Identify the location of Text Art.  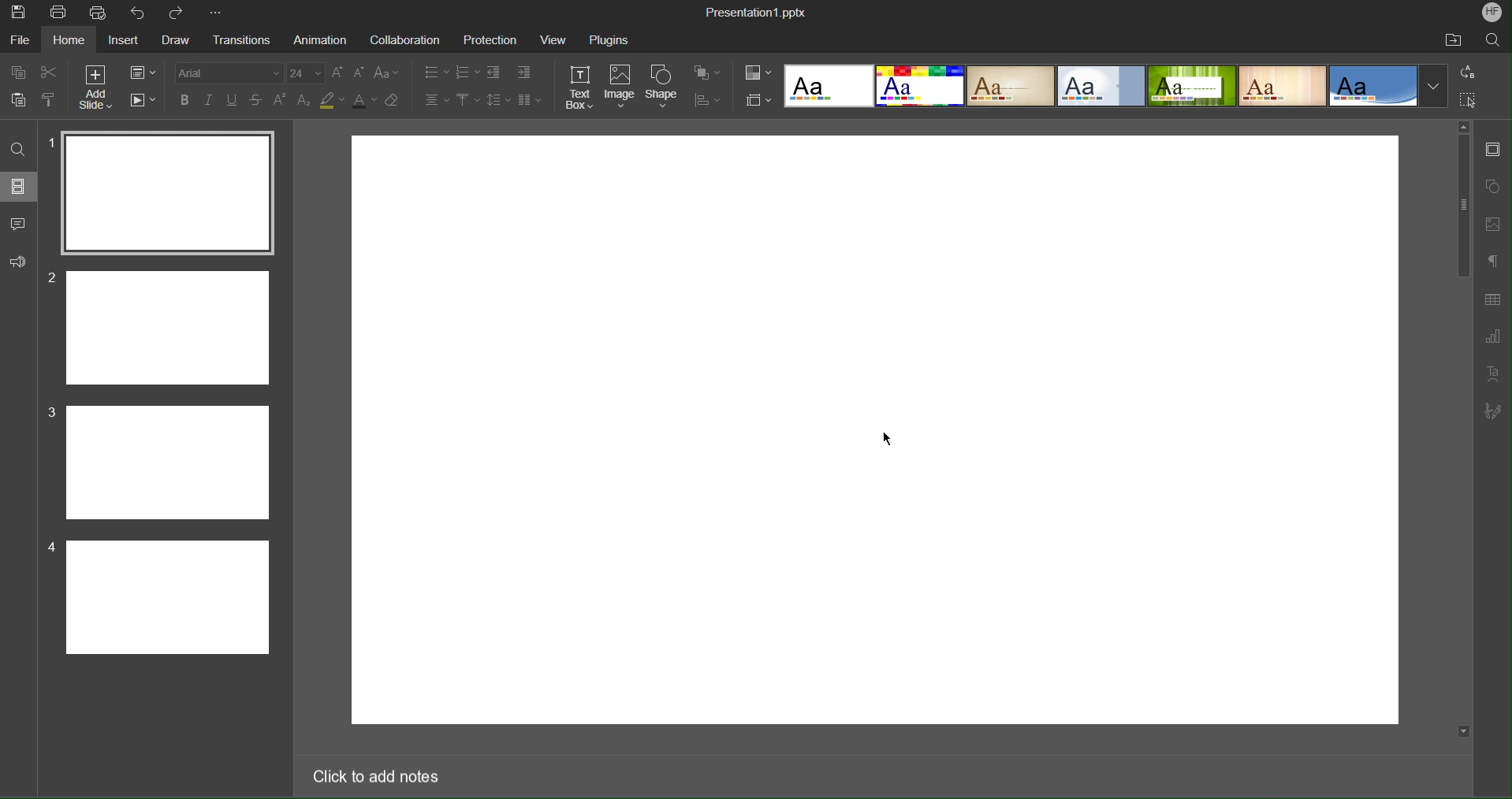
(1492, 373).